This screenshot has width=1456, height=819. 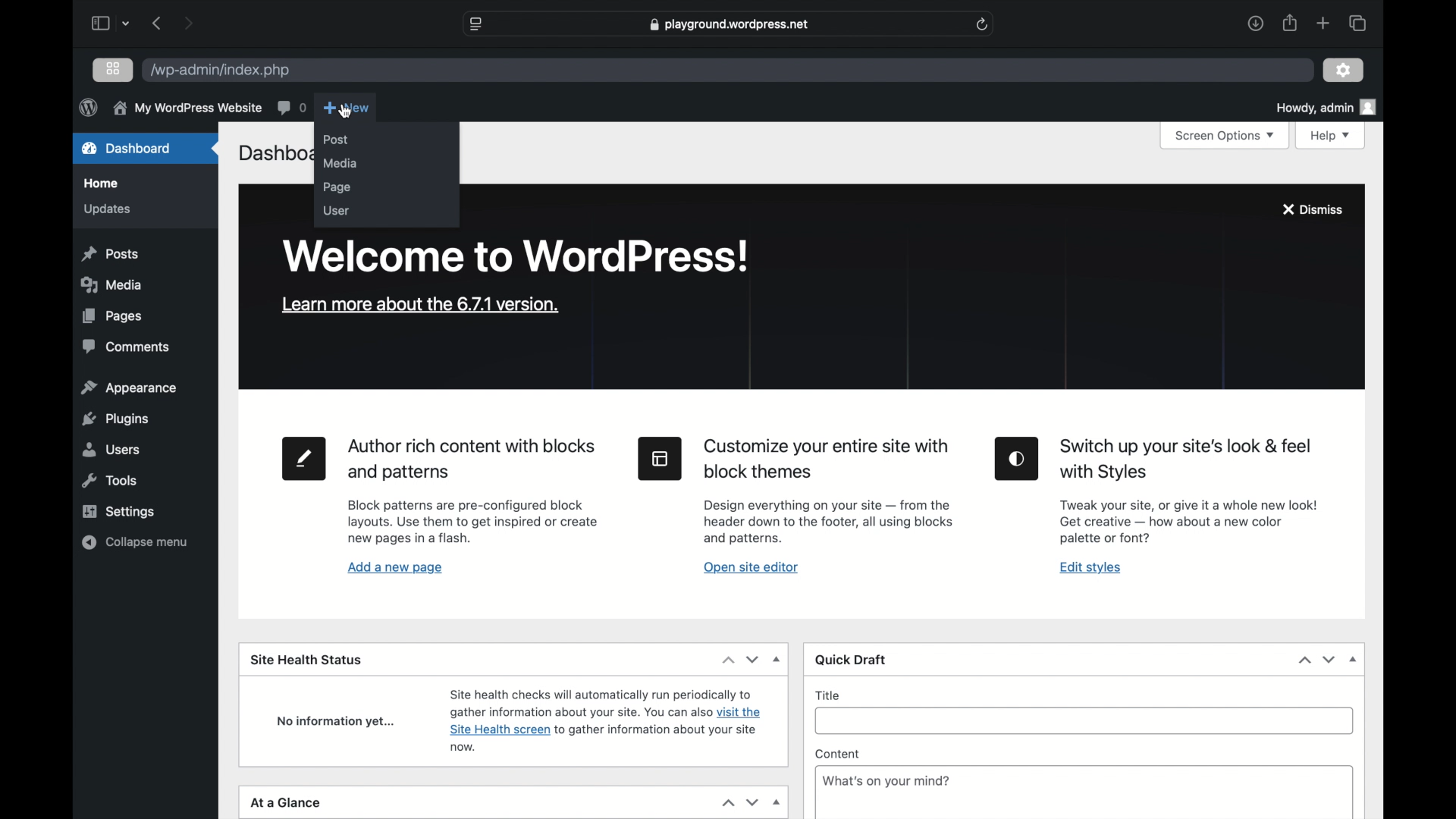 I want to click on Page tool information, so click(x=473, y=523).